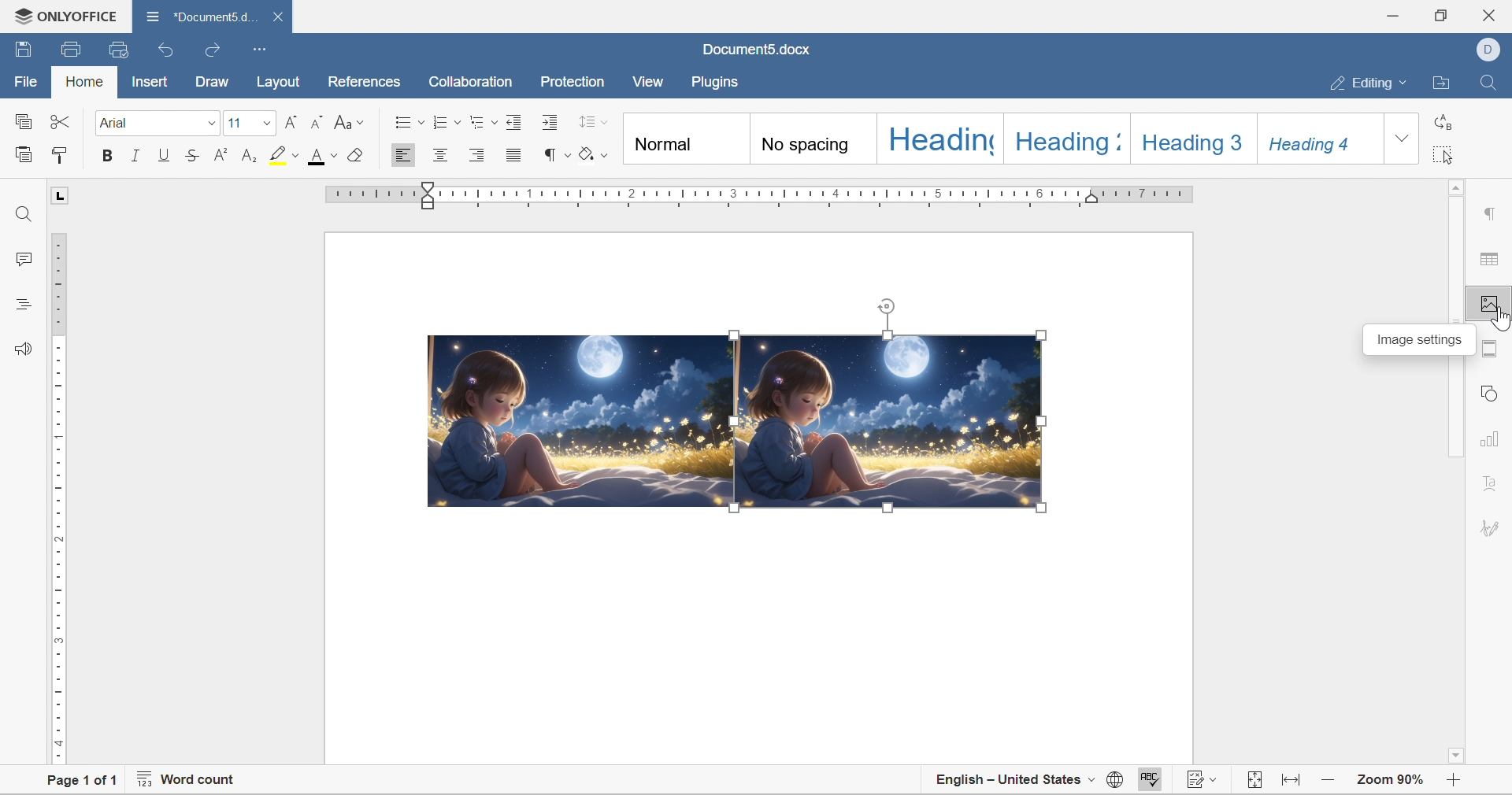 This screenshot has width=1512, height=795. I want to click on cut, so click(61, 120).